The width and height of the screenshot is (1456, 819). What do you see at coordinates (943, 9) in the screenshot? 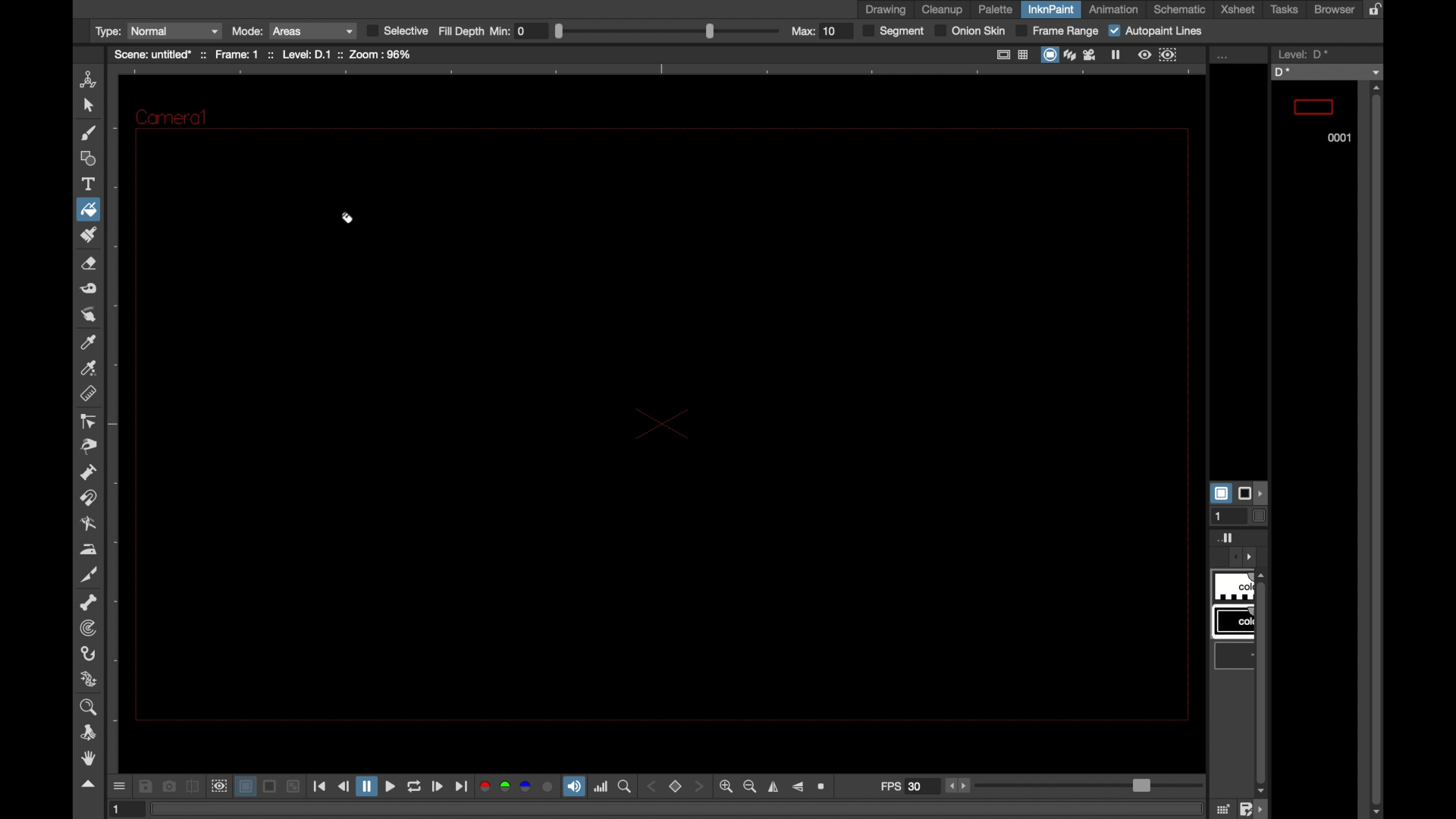
I see `cleanup` at bounding box center [943, 9].